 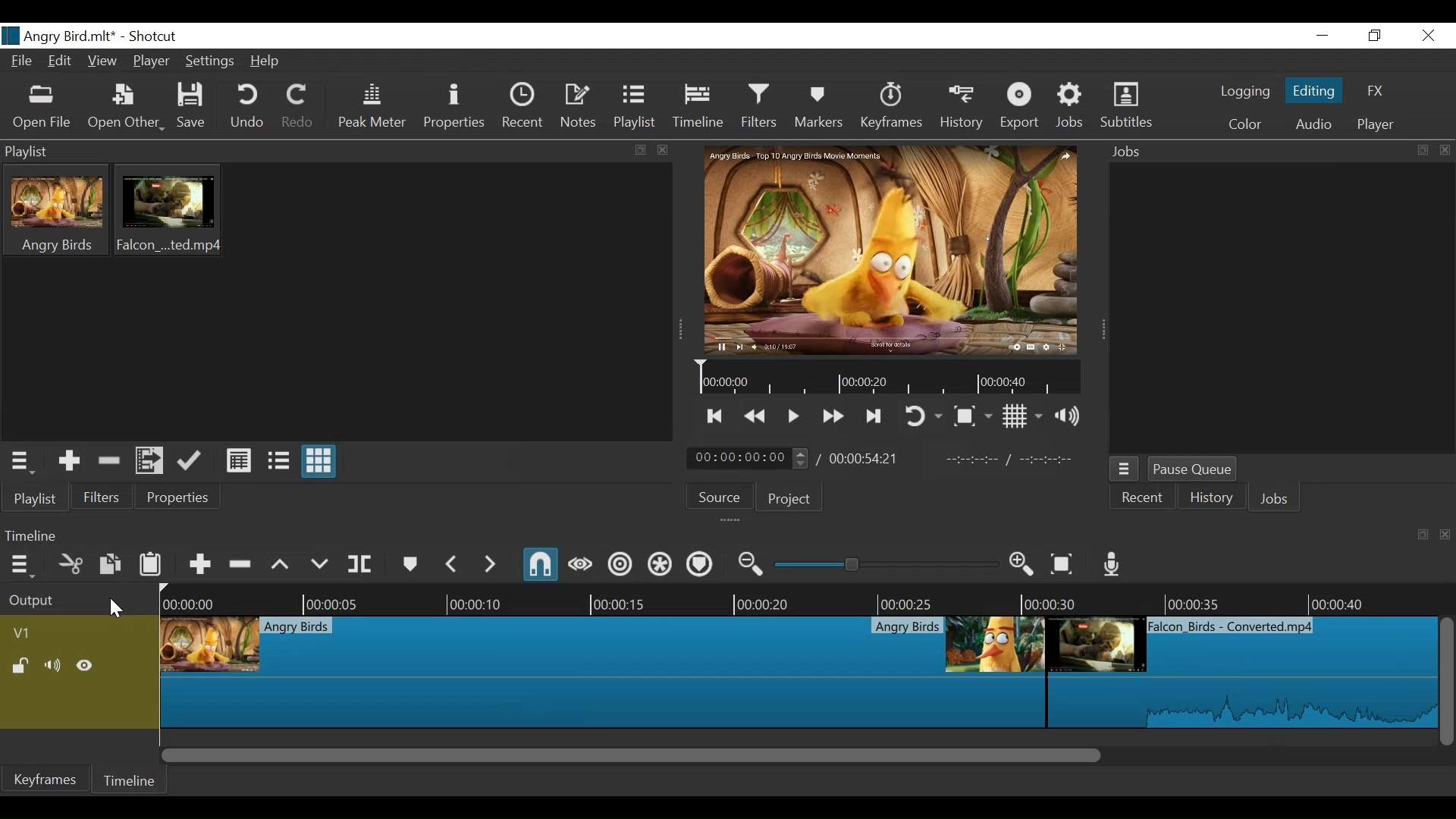 What do you see at coordinates (1428, 35) in the screenshot?
I see `Close` at bounding box center [1428, 35].